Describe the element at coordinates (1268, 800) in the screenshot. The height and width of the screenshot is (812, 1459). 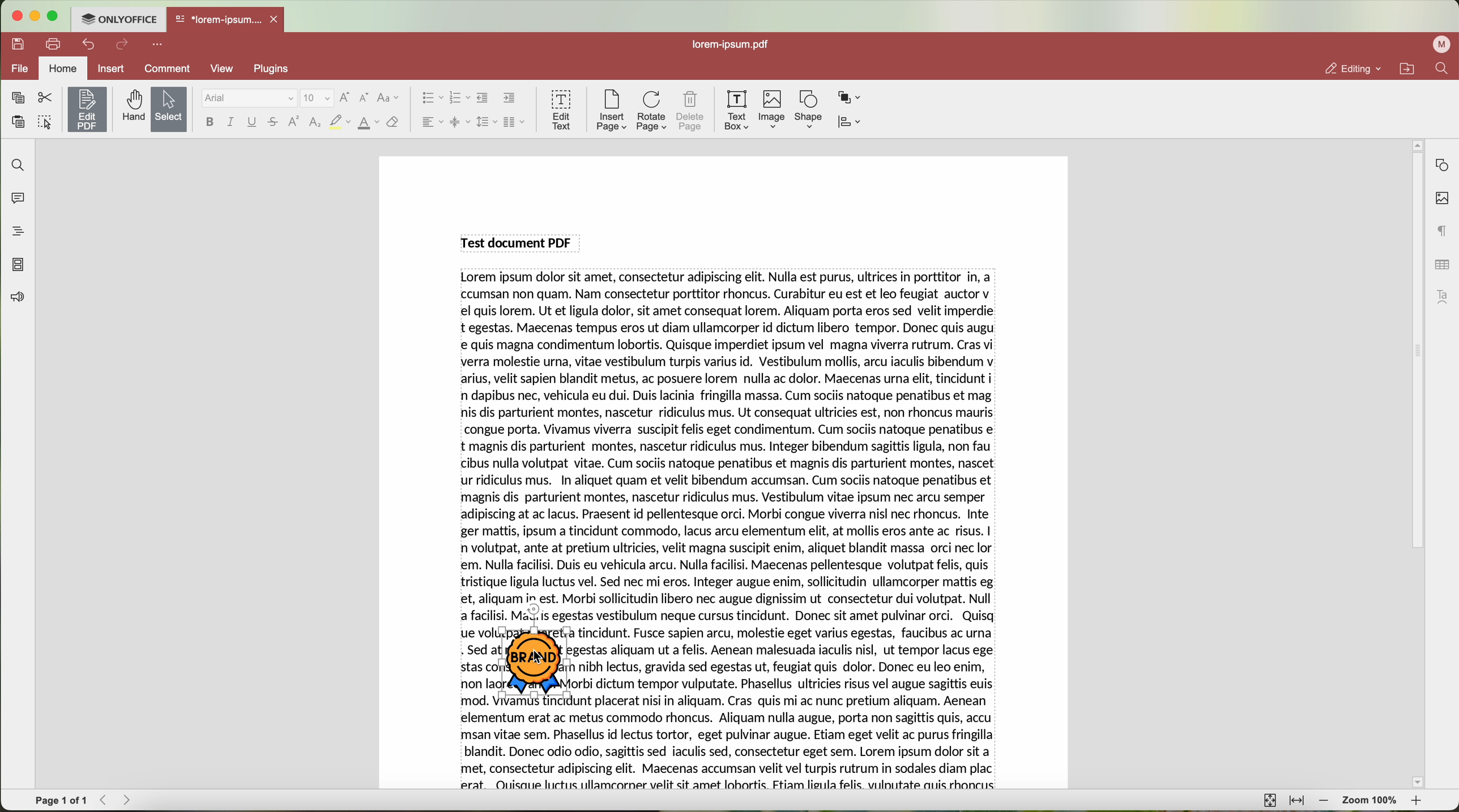
I see `fit to page` at that location.